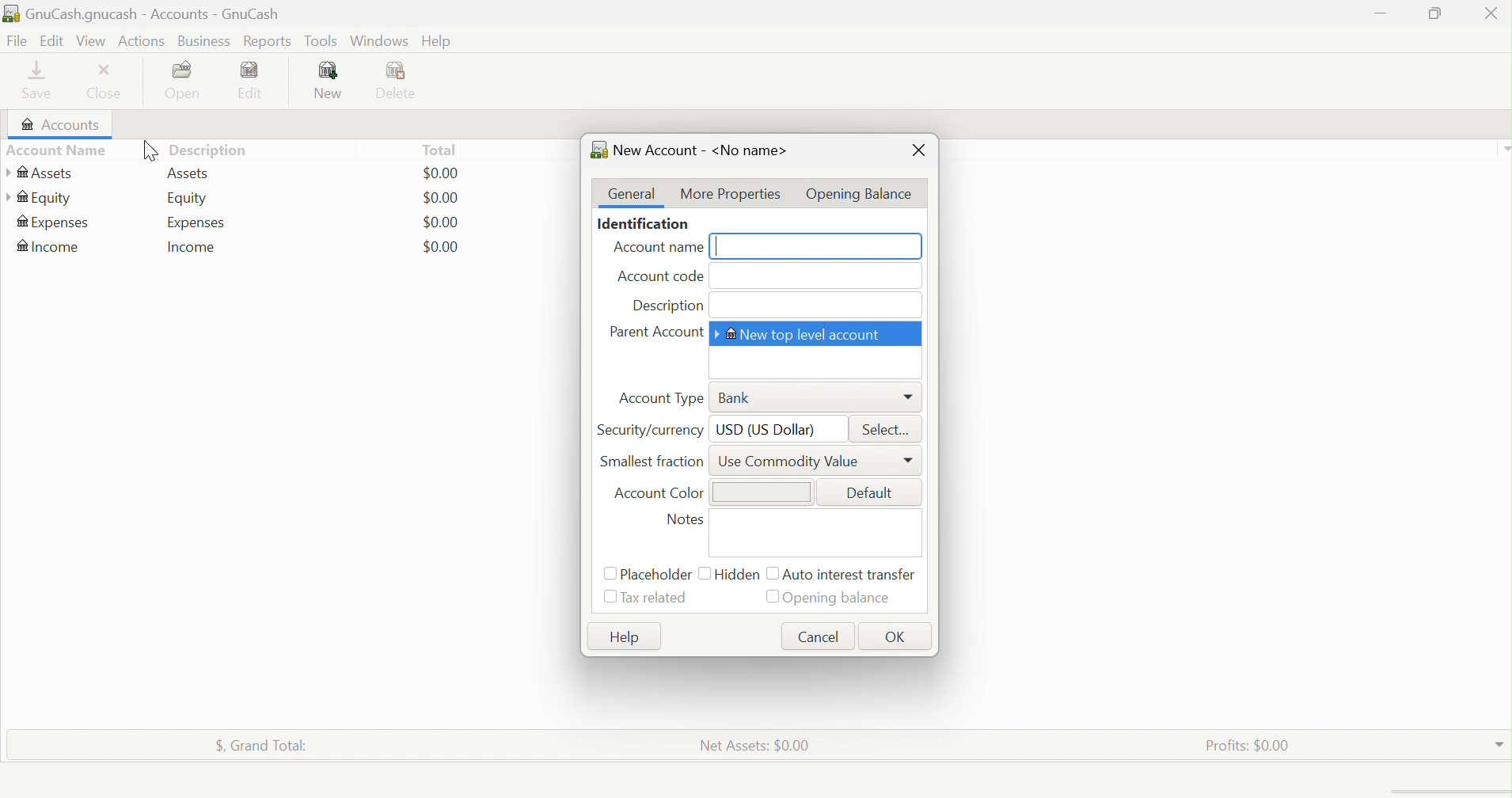 The image size is (1512, 798). What do you see at coordinates (191, 173) in the screenshot?
I see `Assets` at bounding box center [191, 173].